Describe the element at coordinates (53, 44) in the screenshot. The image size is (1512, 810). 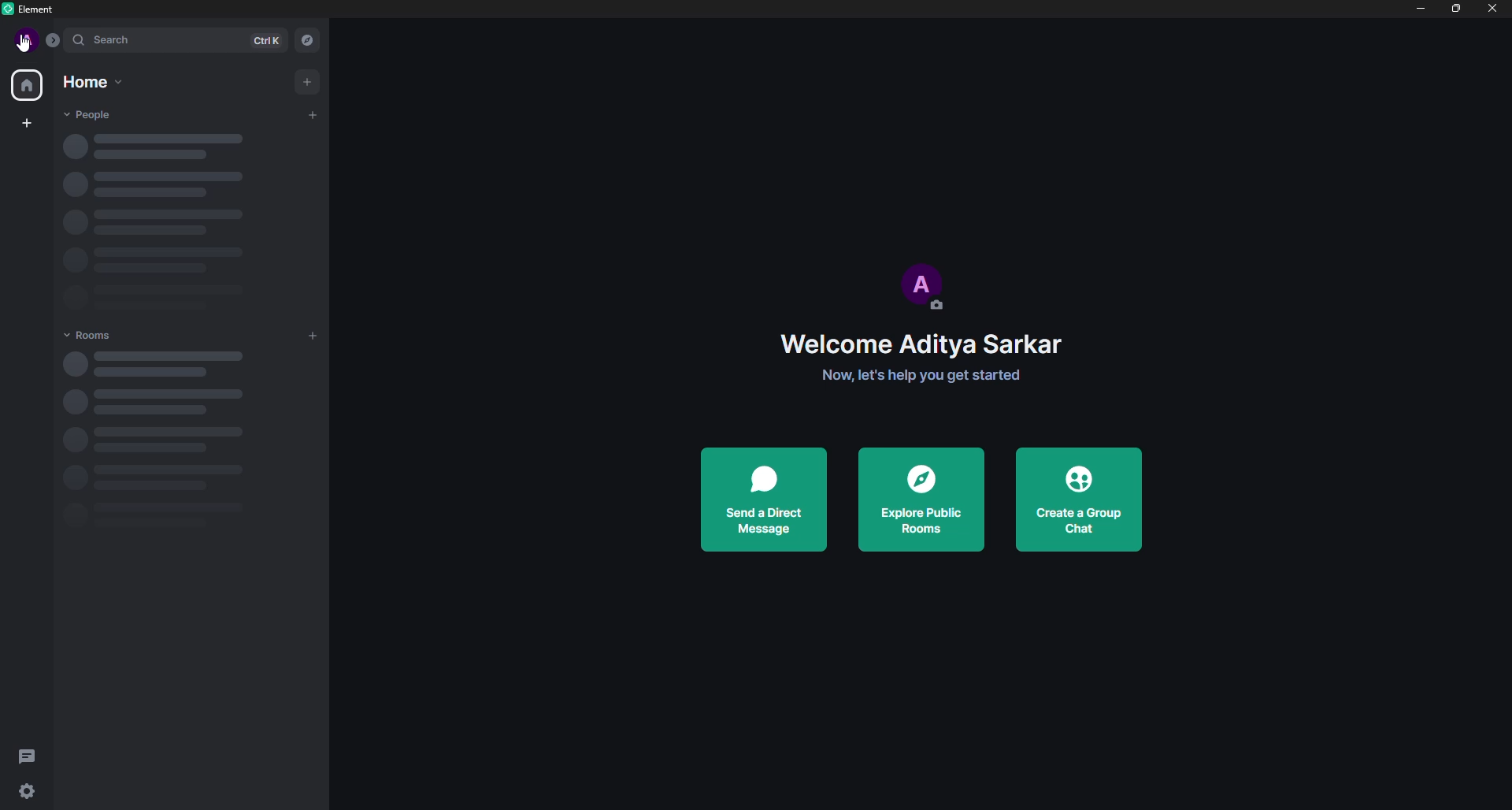
I see `expand` at that location.